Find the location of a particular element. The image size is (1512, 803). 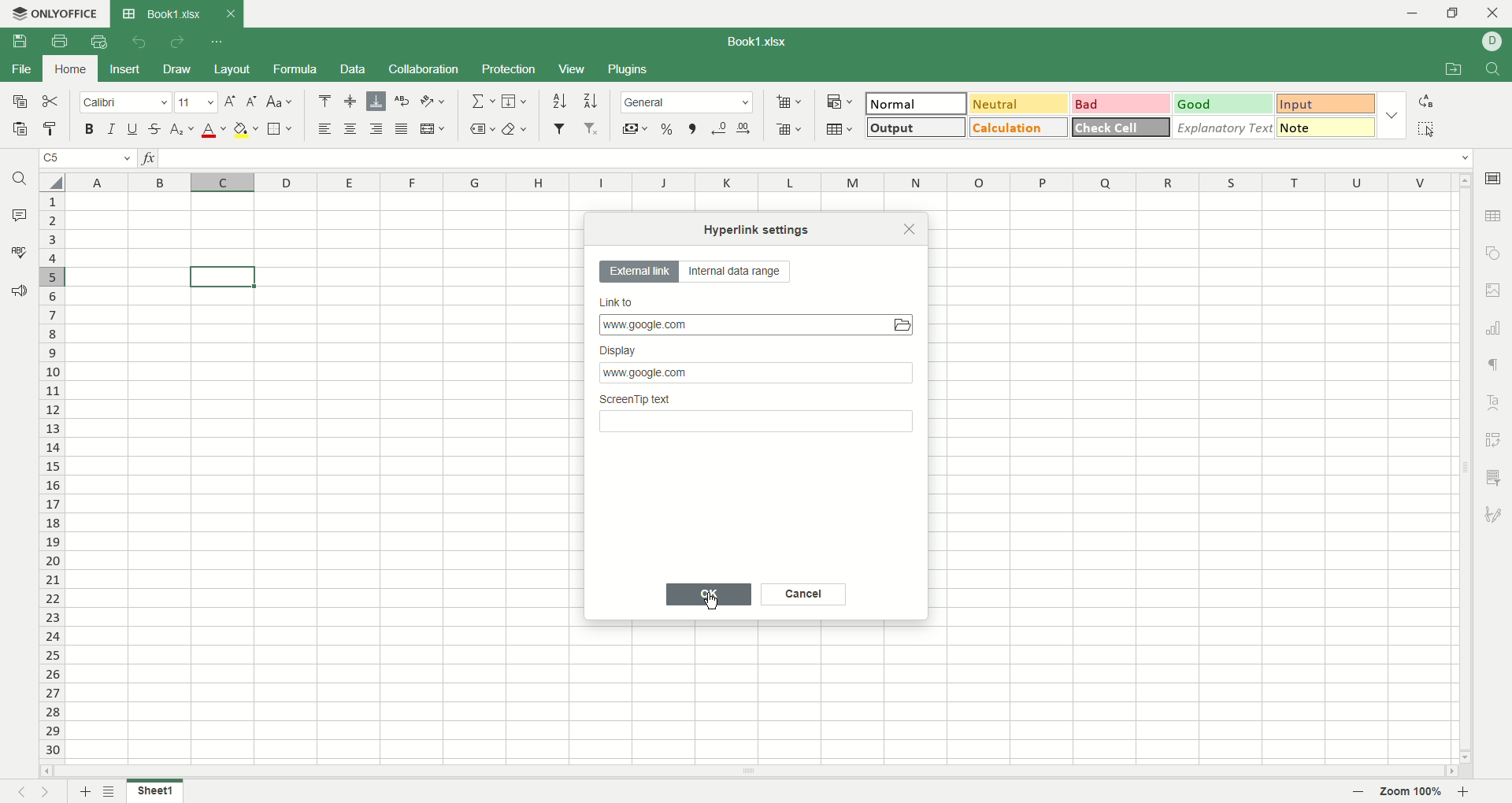

open file location is located at coordinates (1450, 71).